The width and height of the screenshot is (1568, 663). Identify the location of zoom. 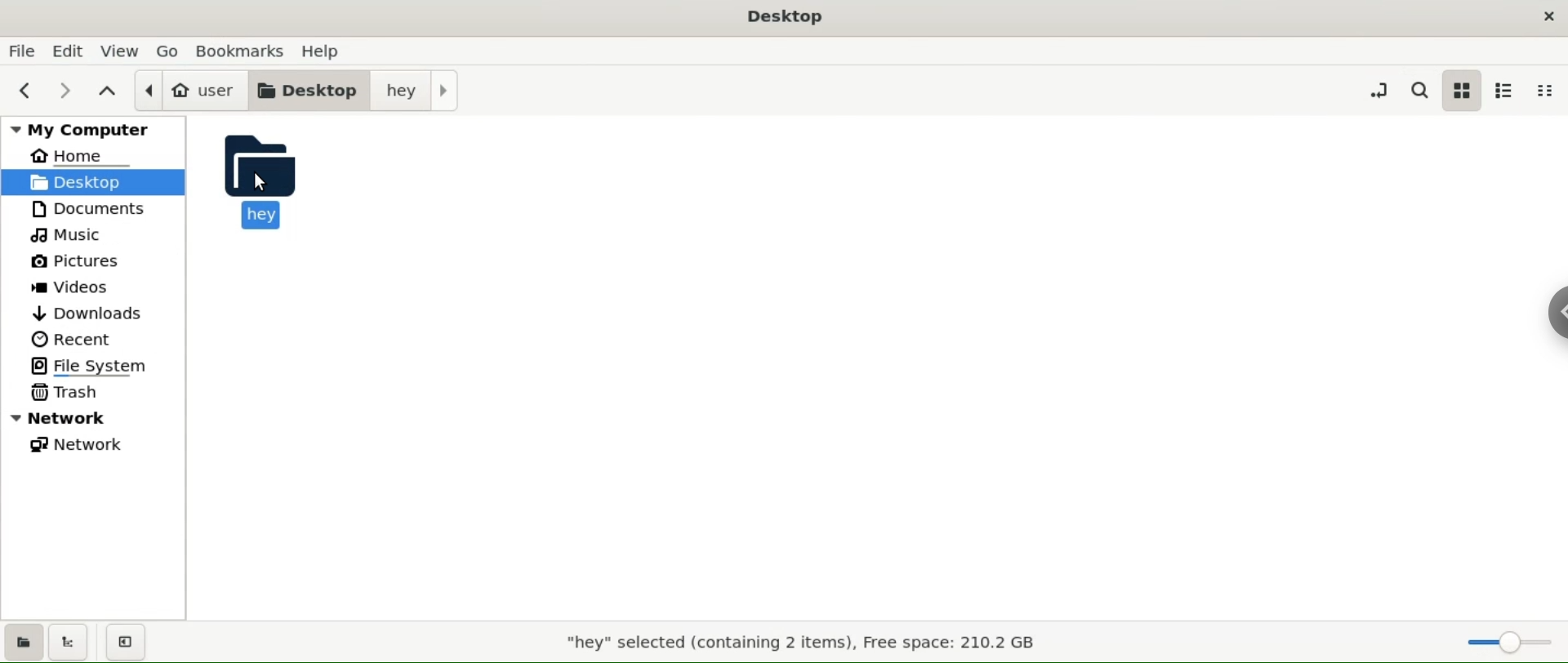
(1512, 642).